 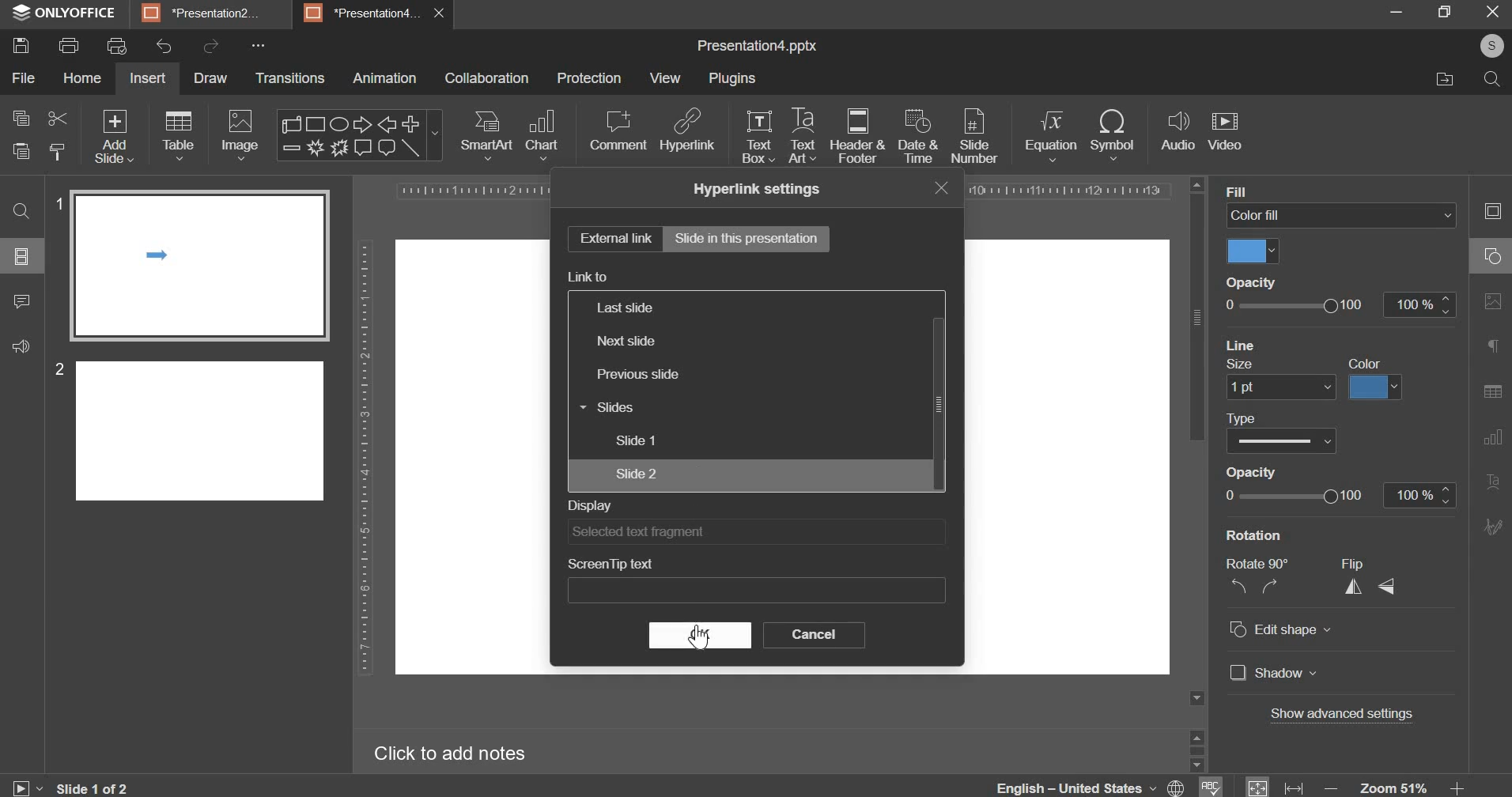 What do you see at coordinates (1287, 475) in the screenshot?
I see `` at bounding box center [1287, 475].